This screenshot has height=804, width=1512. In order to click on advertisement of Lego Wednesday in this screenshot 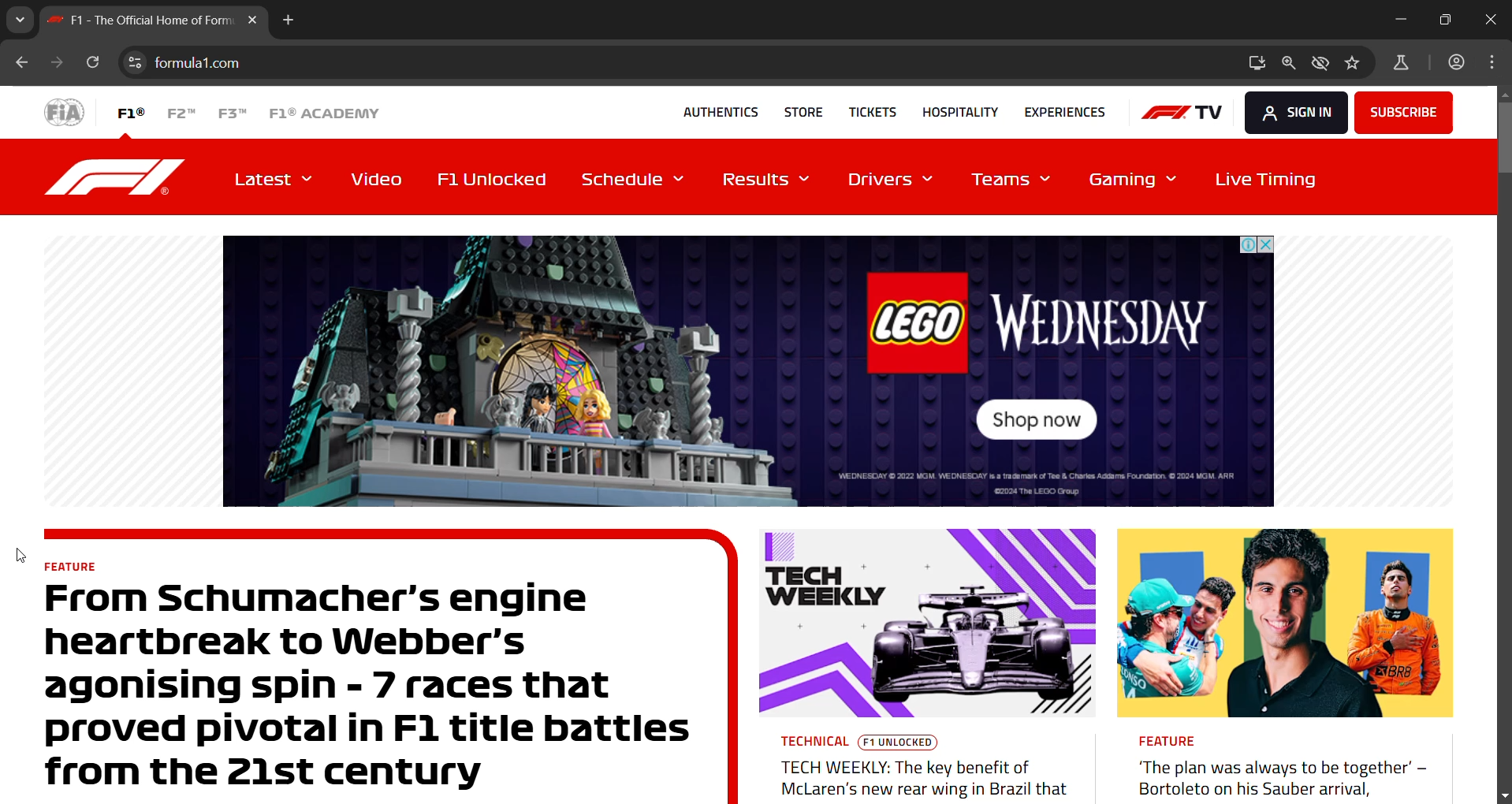, I will do `click(747, 369)`.